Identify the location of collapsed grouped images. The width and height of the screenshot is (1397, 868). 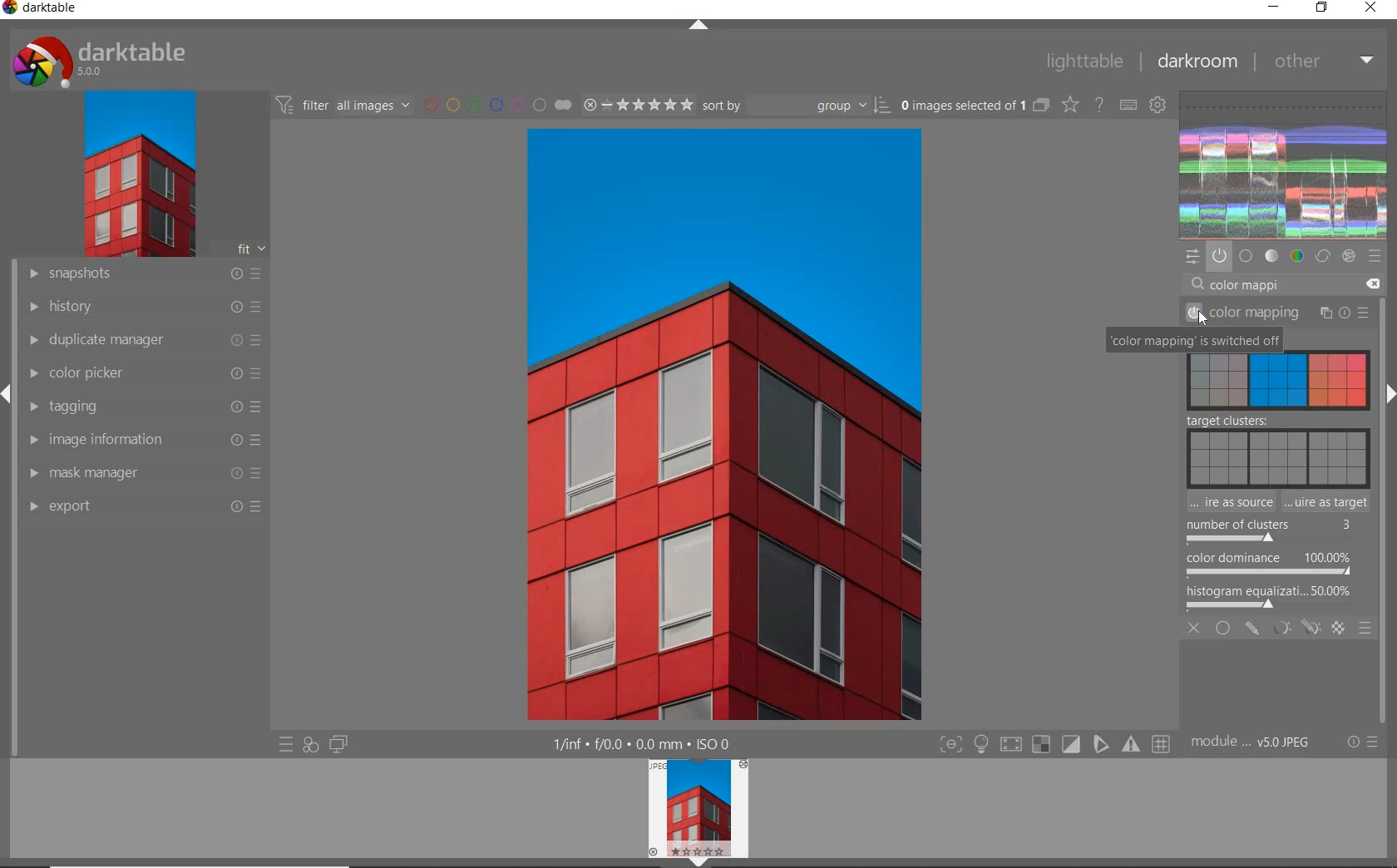
(1041, 103).